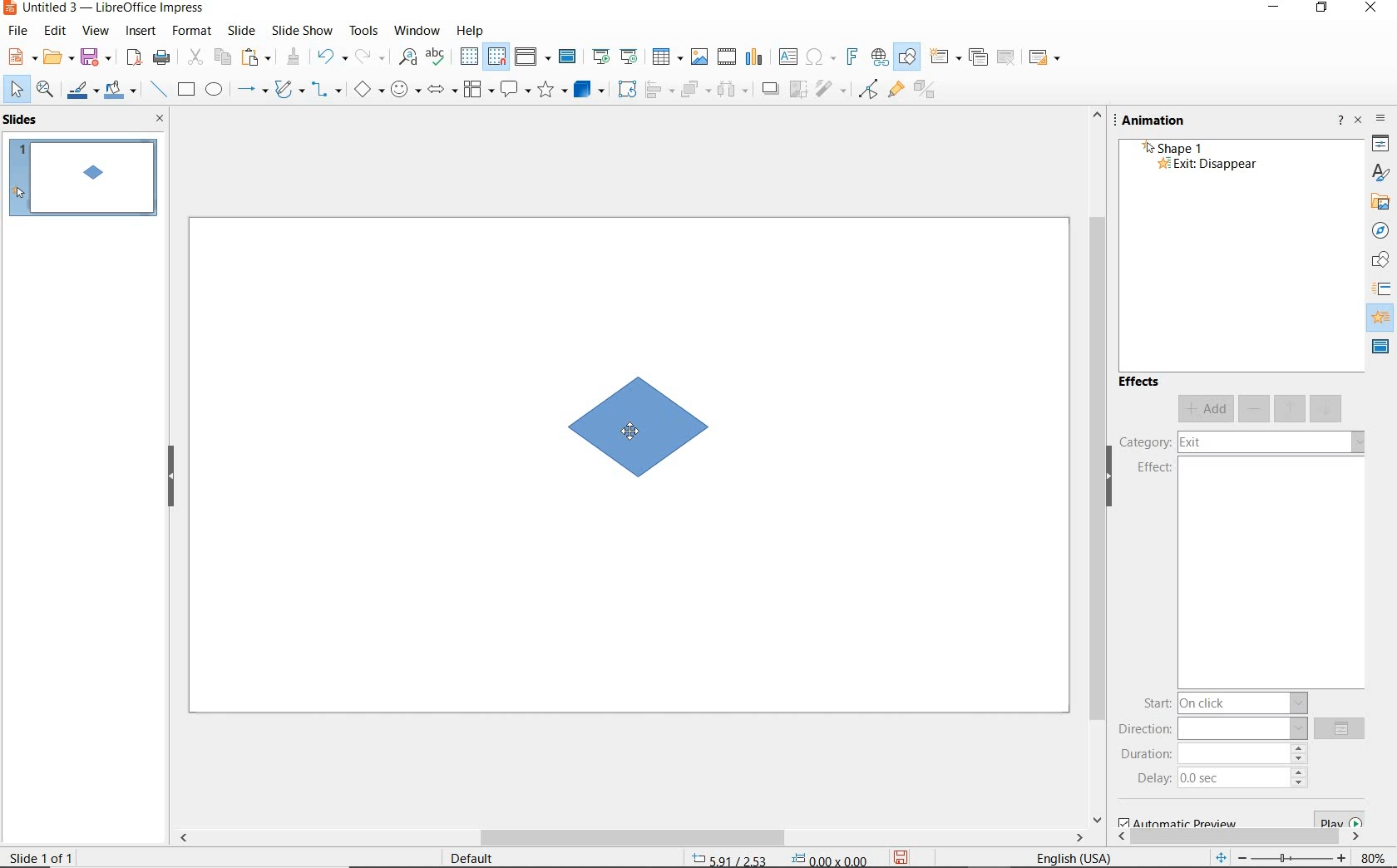  Describe the element at coordinates (927, 91) in the screenshot. I see `toggle extrusion` at that location.